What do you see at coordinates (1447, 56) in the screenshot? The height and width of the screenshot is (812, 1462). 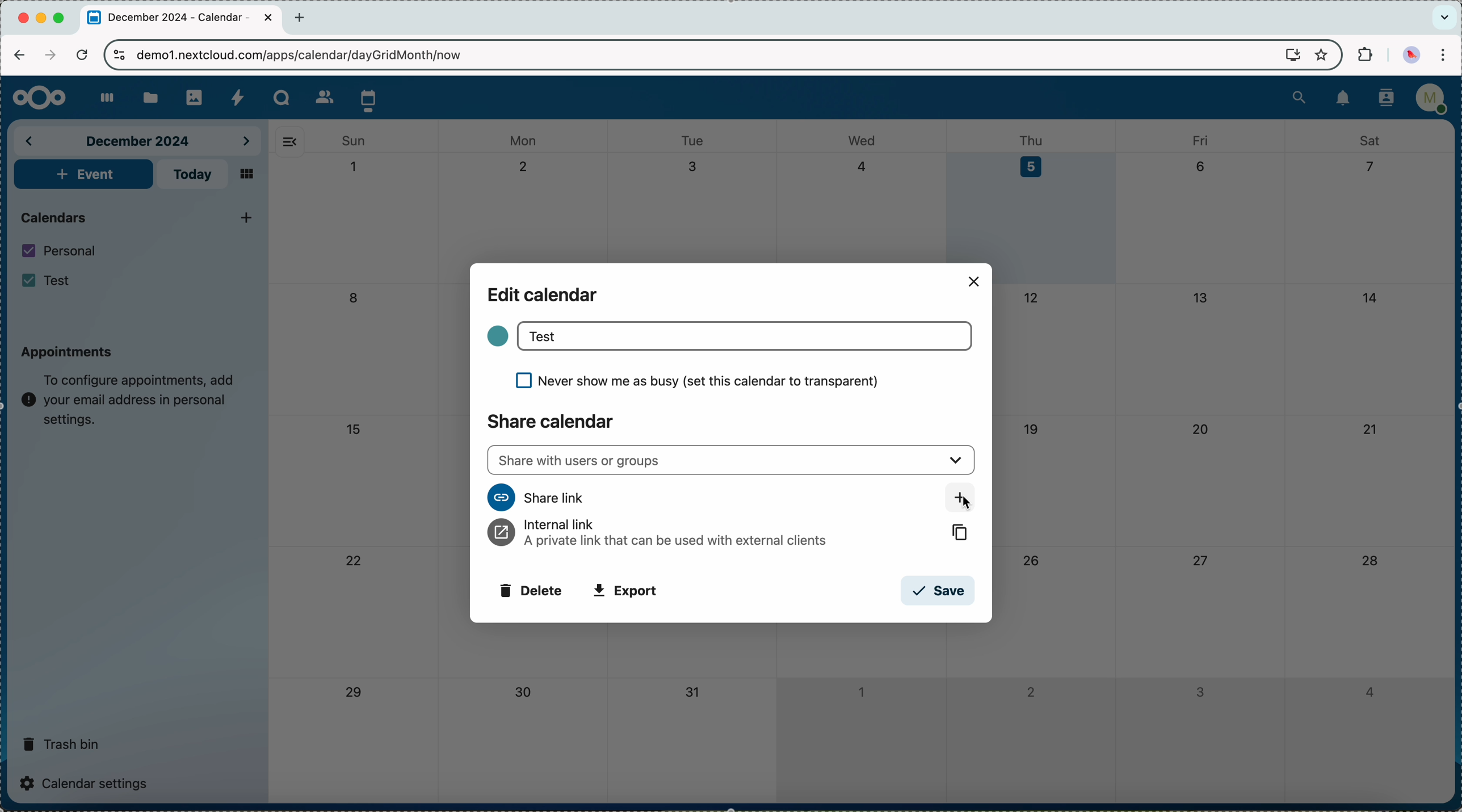 I see `customize and control Google Chrome` at bounding box center [1447, 56].